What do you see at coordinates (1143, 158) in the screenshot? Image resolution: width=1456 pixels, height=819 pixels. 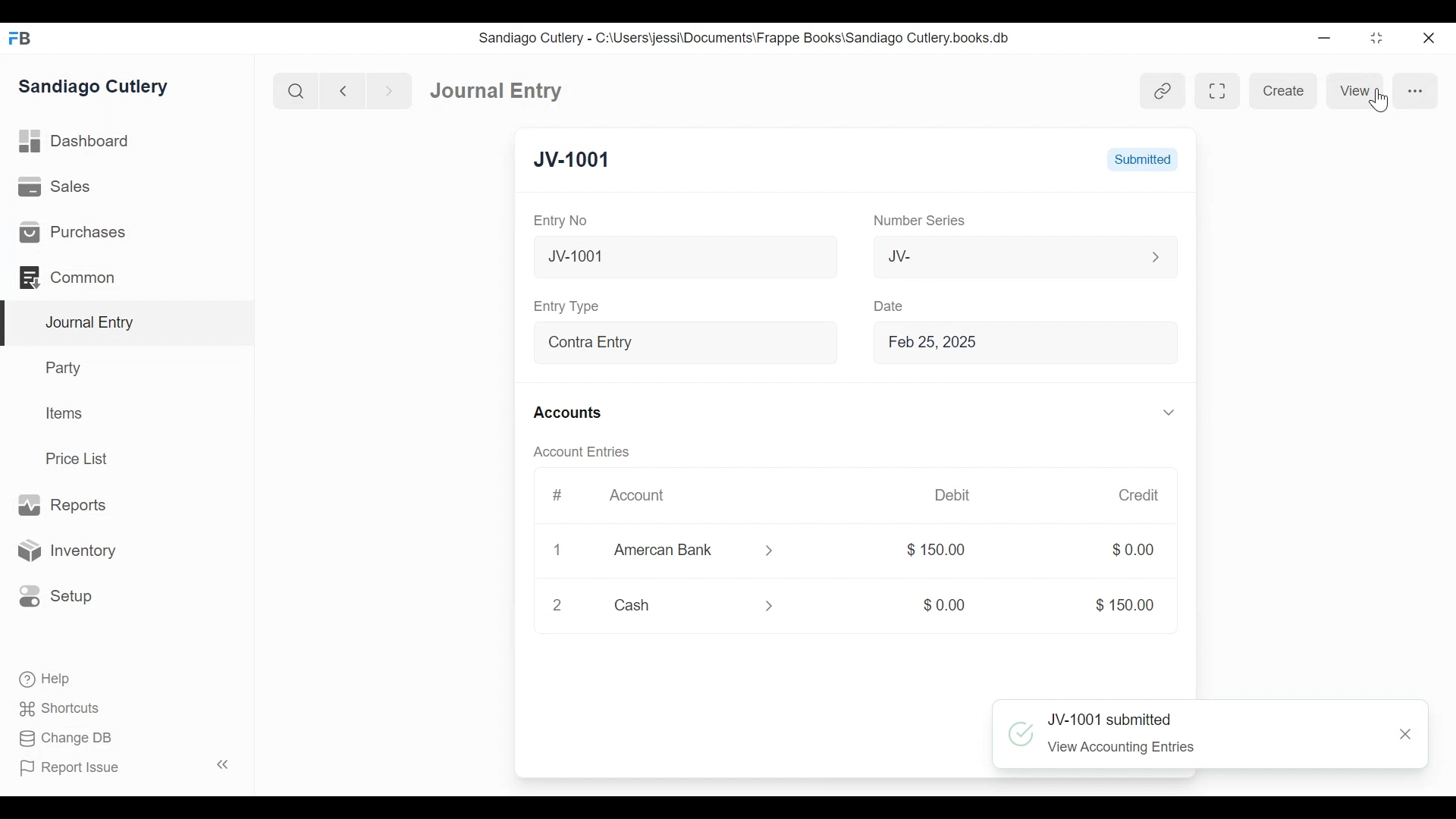 I see `Submitted` at bounding box center [1143, 158].